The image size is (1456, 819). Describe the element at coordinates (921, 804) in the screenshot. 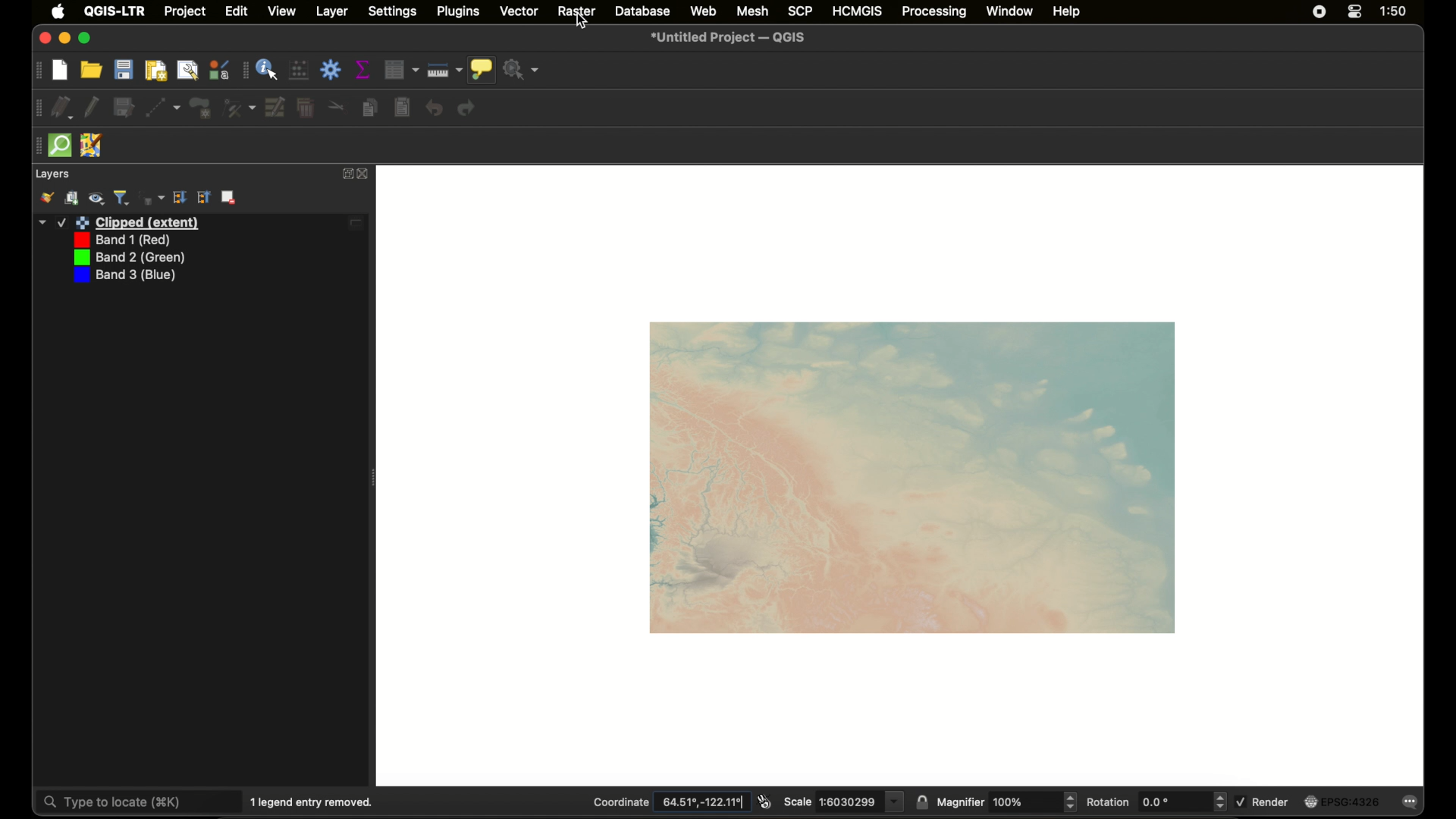

I see `lock scale` at that location.